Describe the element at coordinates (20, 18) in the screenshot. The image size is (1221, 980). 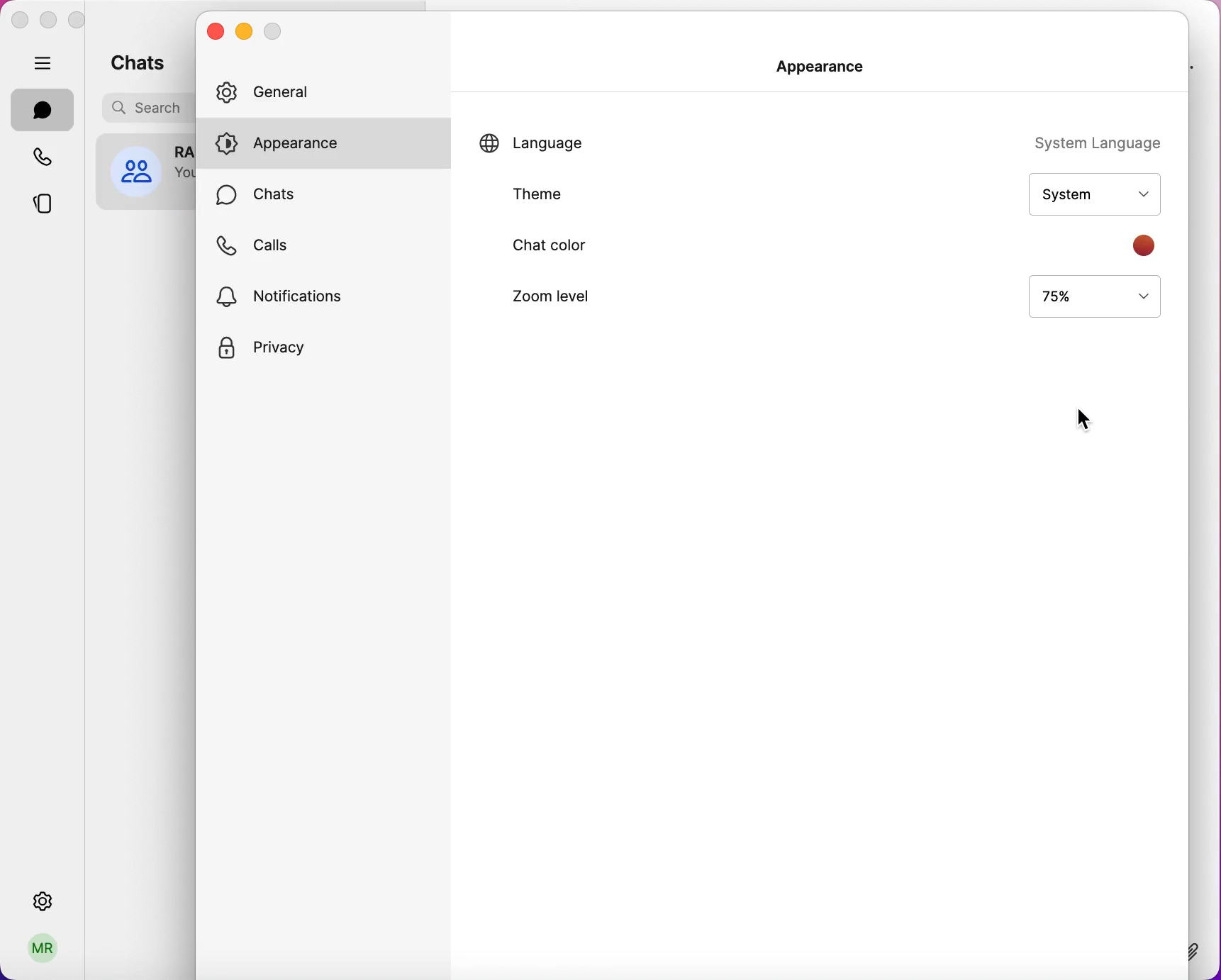
I see `close` at that location.